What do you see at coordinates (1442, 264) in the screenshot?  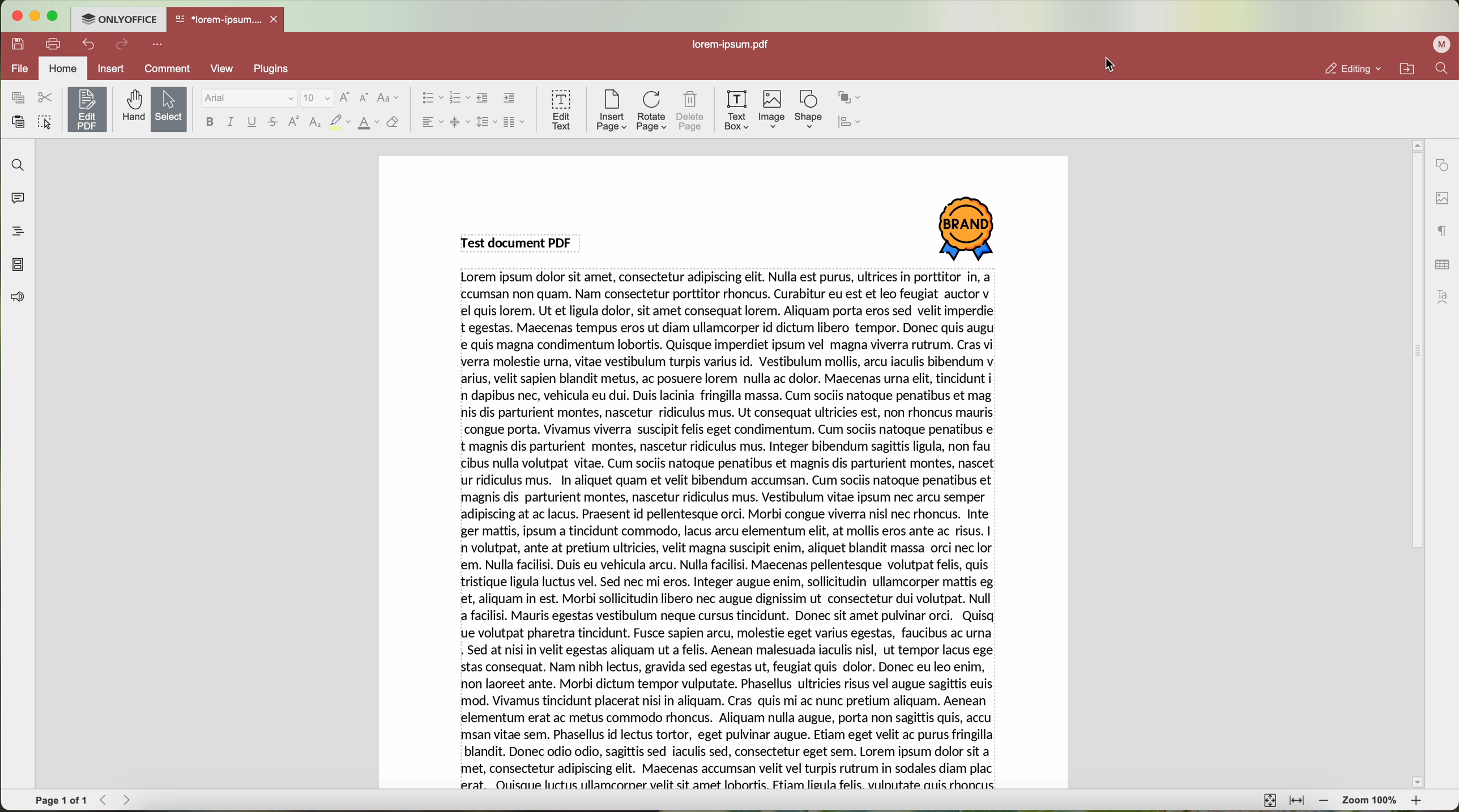 I see `table settings` at bounding box center [1442, 264].